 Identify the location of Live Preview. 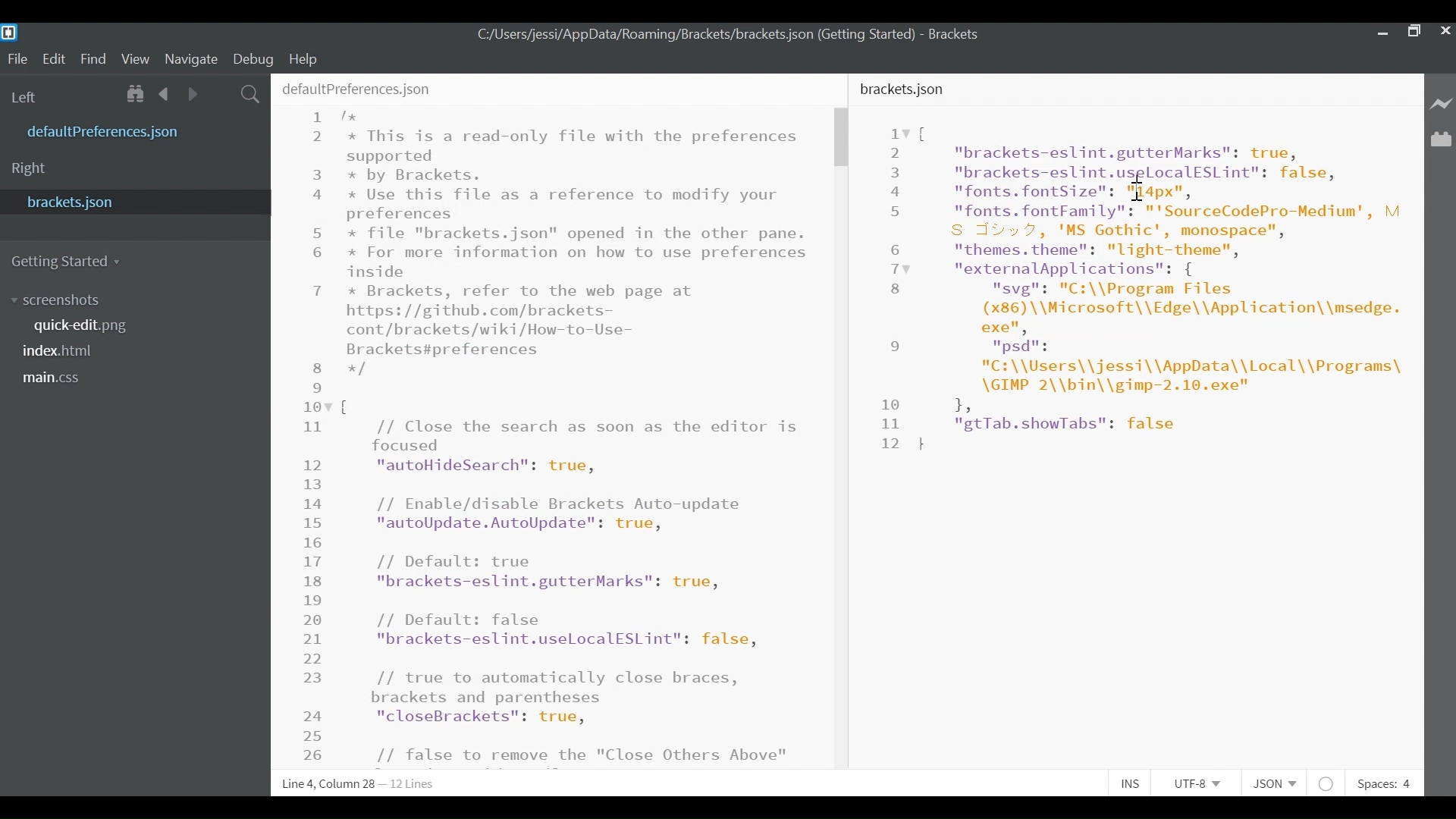
(1442, 105).